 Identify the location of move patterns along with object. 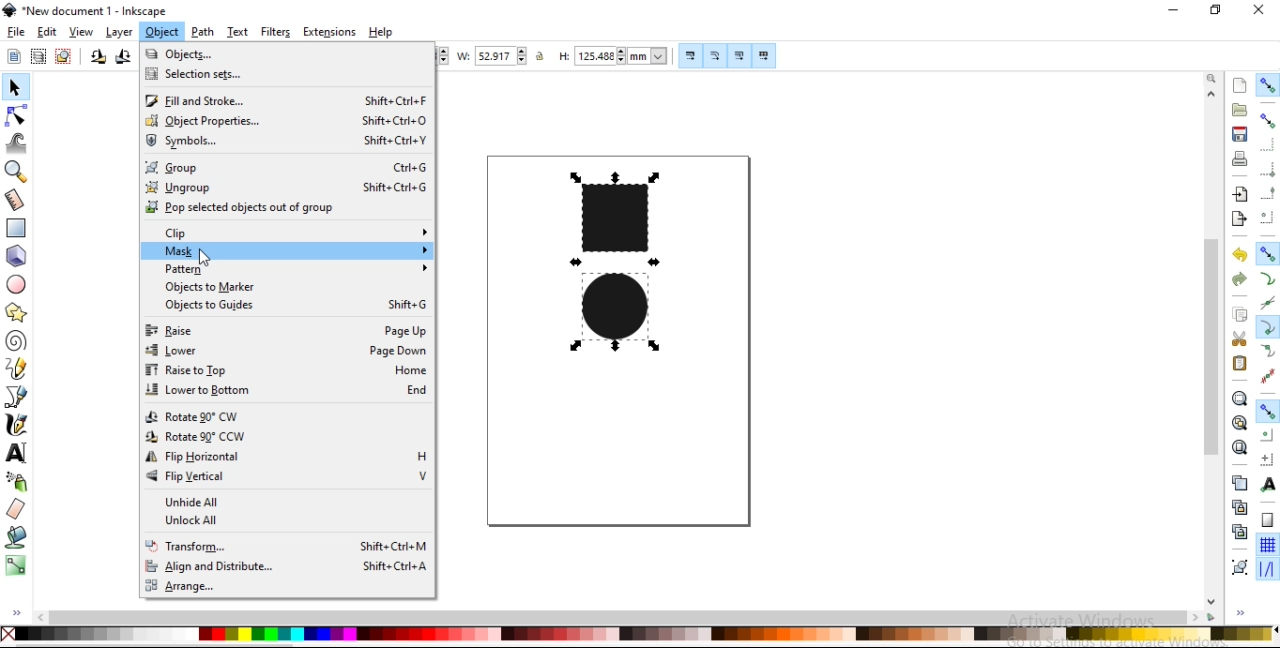
(765, 56).